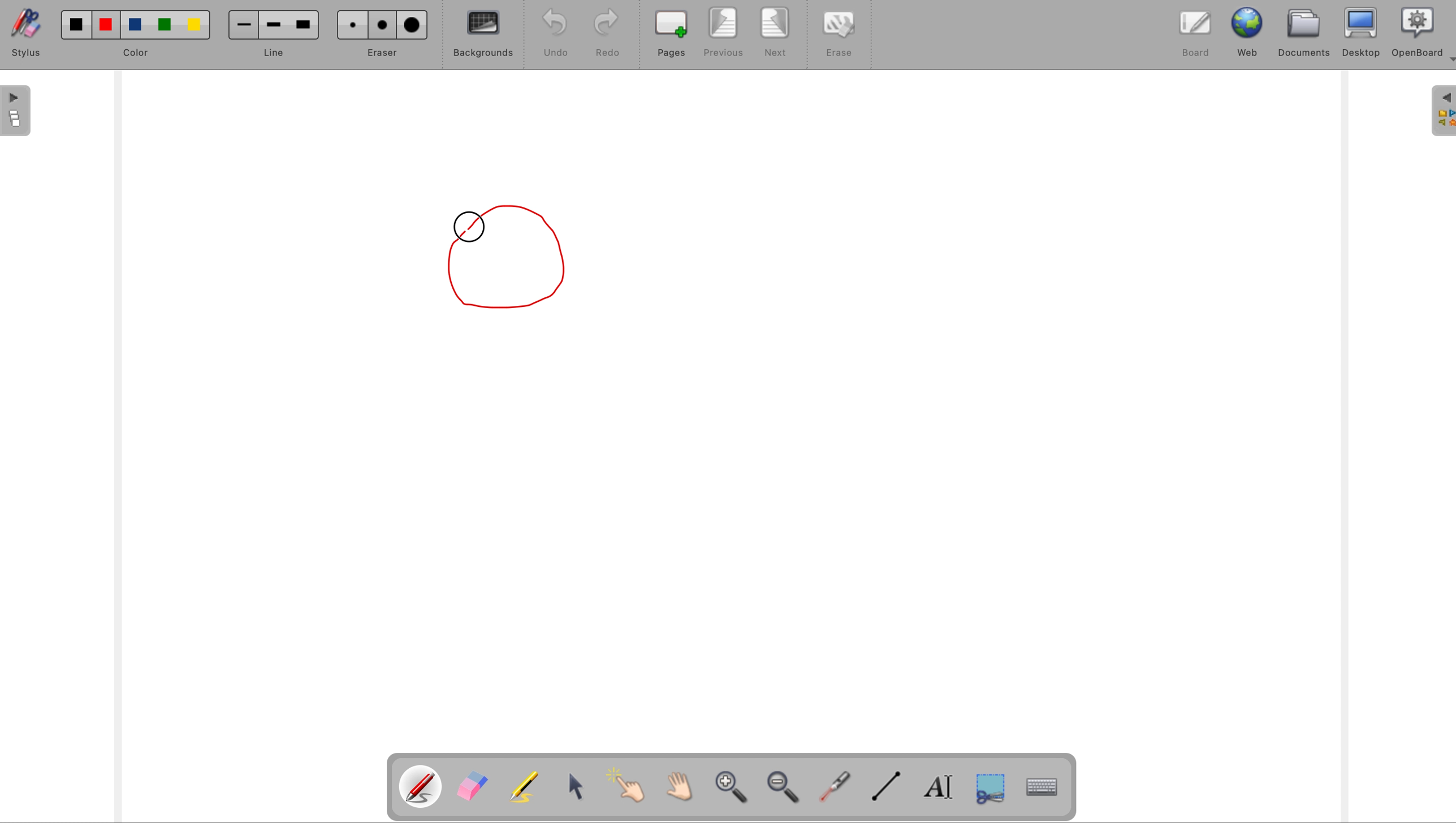 The image size is (1456, 823). What do you see at coordinates (1363, 32) in the screenshot?
I see `desktop` at bounding box center [1363, 32].